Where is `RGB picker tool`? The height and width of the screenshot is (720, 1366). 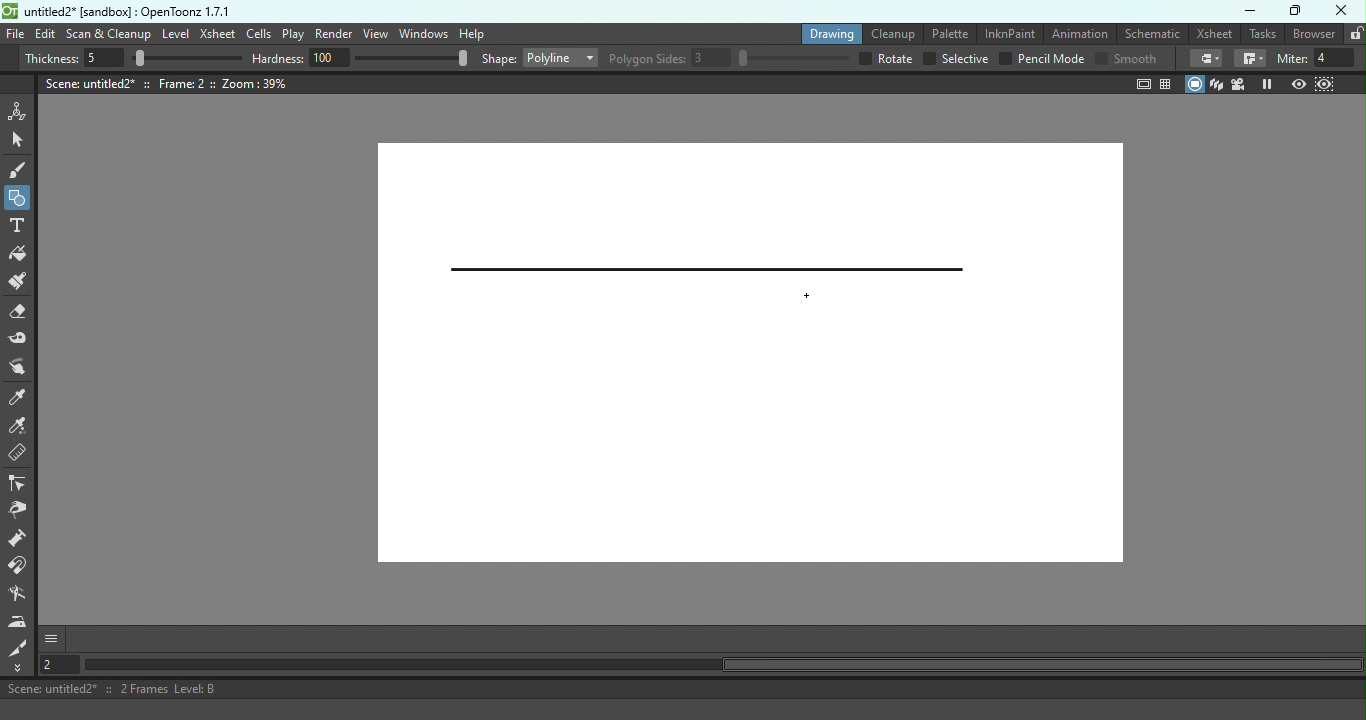 RGB picker tool is located at coordinates (21, 428).